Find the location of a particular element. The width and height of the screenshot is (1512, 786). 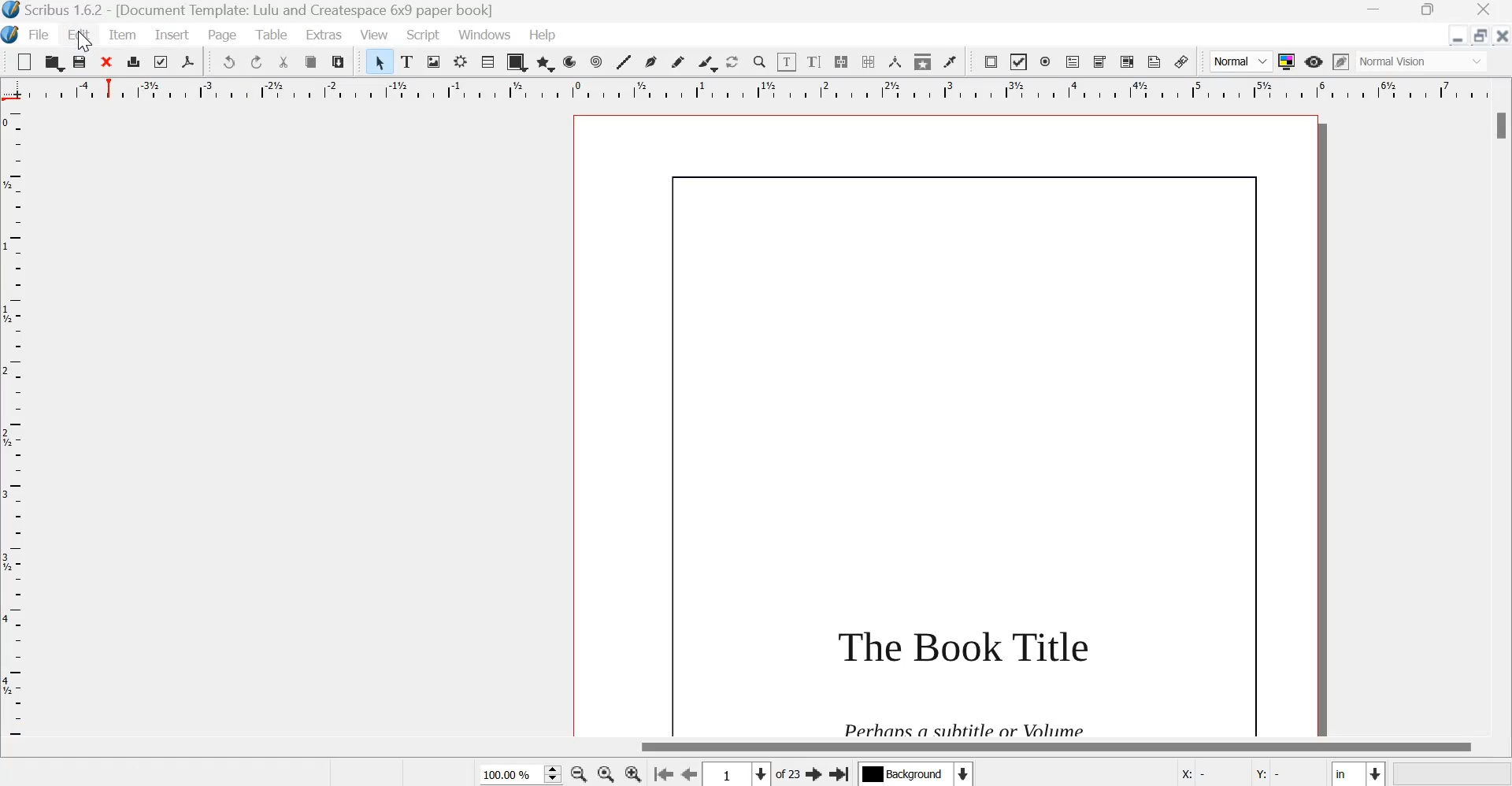

Zoom in or out is located at coordinates (758, 61).